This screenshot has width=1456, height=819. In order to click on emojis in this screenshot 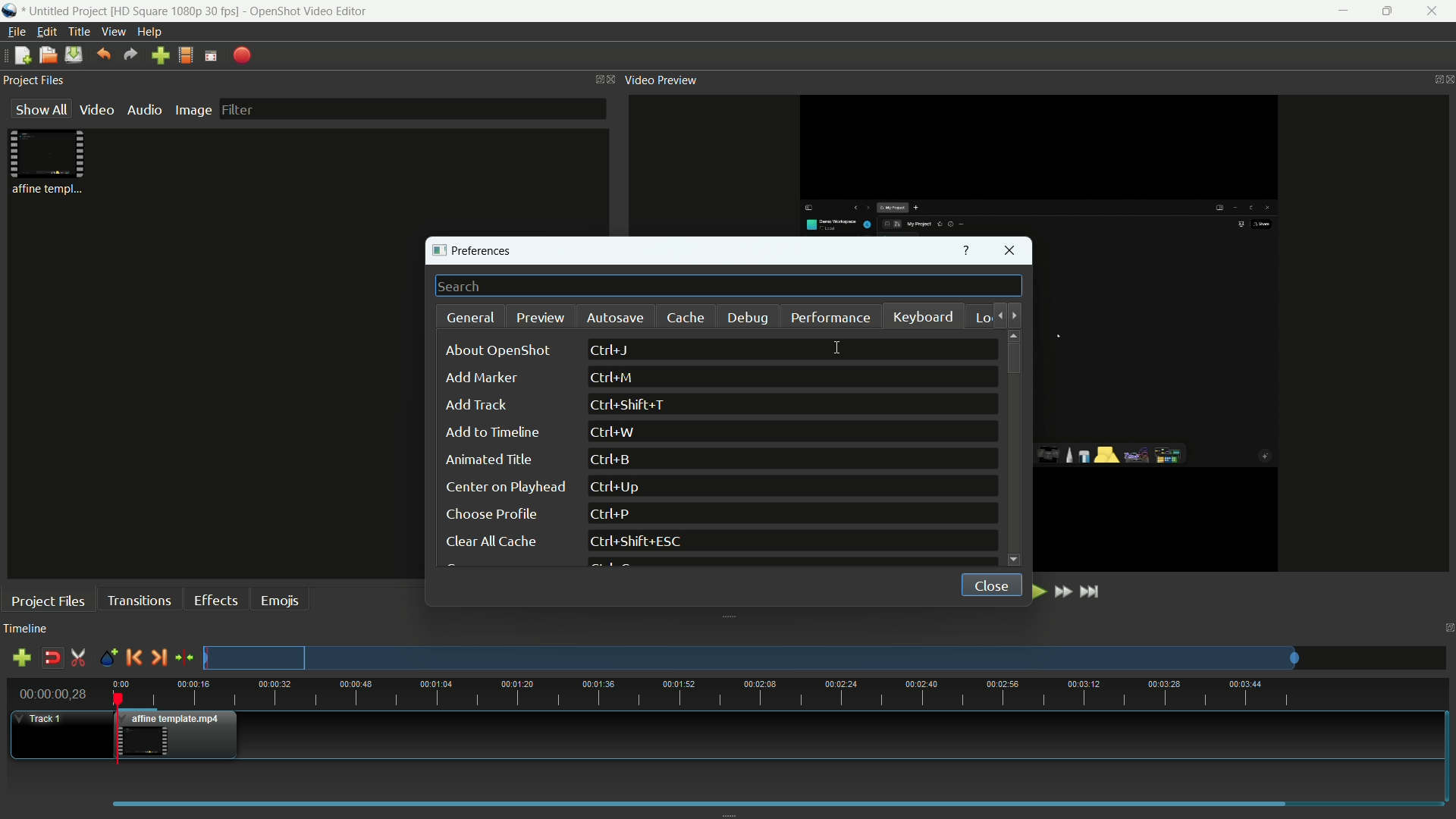, I will do `click(281, 599)`.